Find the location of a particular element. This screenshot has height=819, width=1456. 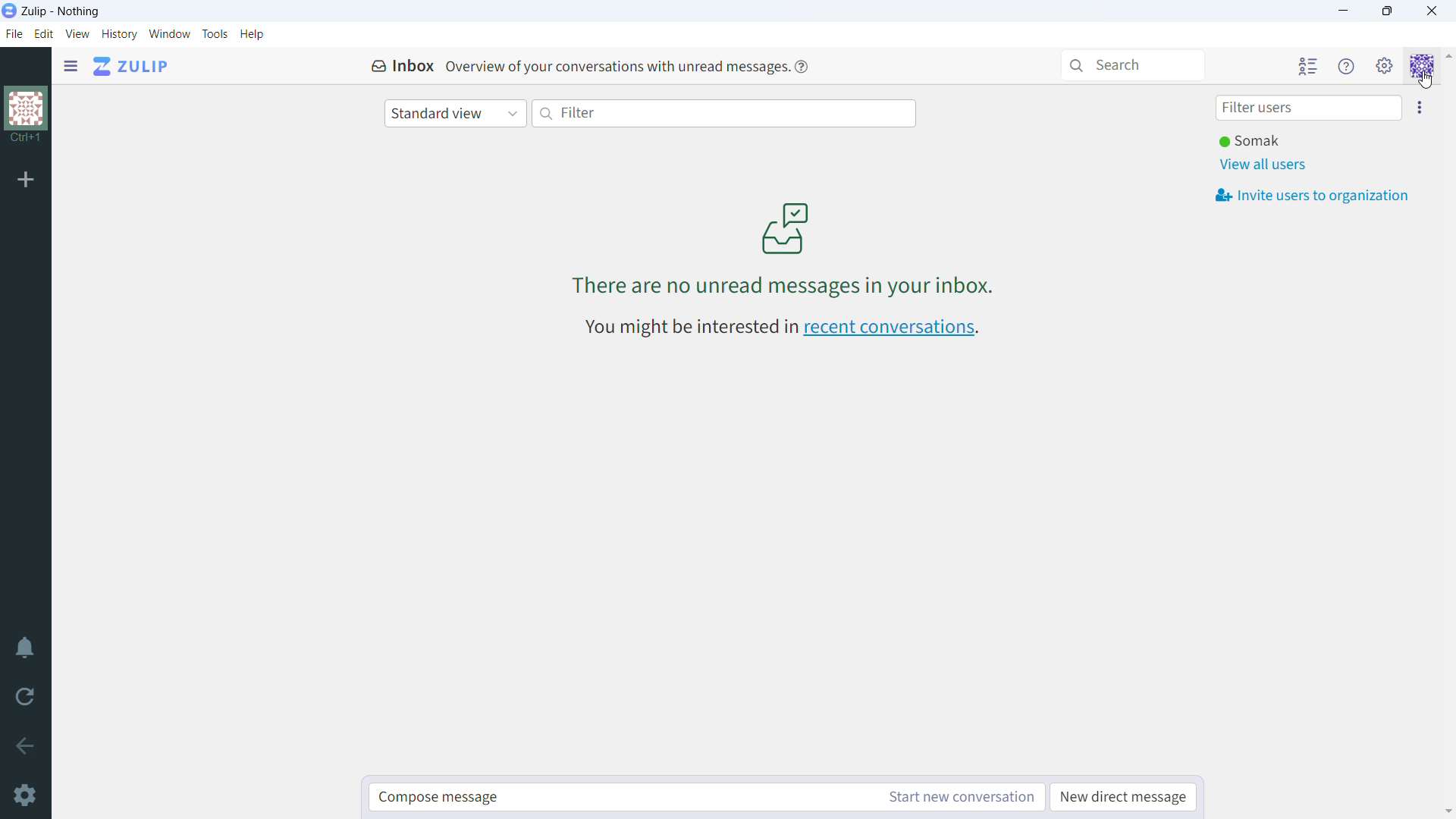

window is located at coordinates (170, 34).